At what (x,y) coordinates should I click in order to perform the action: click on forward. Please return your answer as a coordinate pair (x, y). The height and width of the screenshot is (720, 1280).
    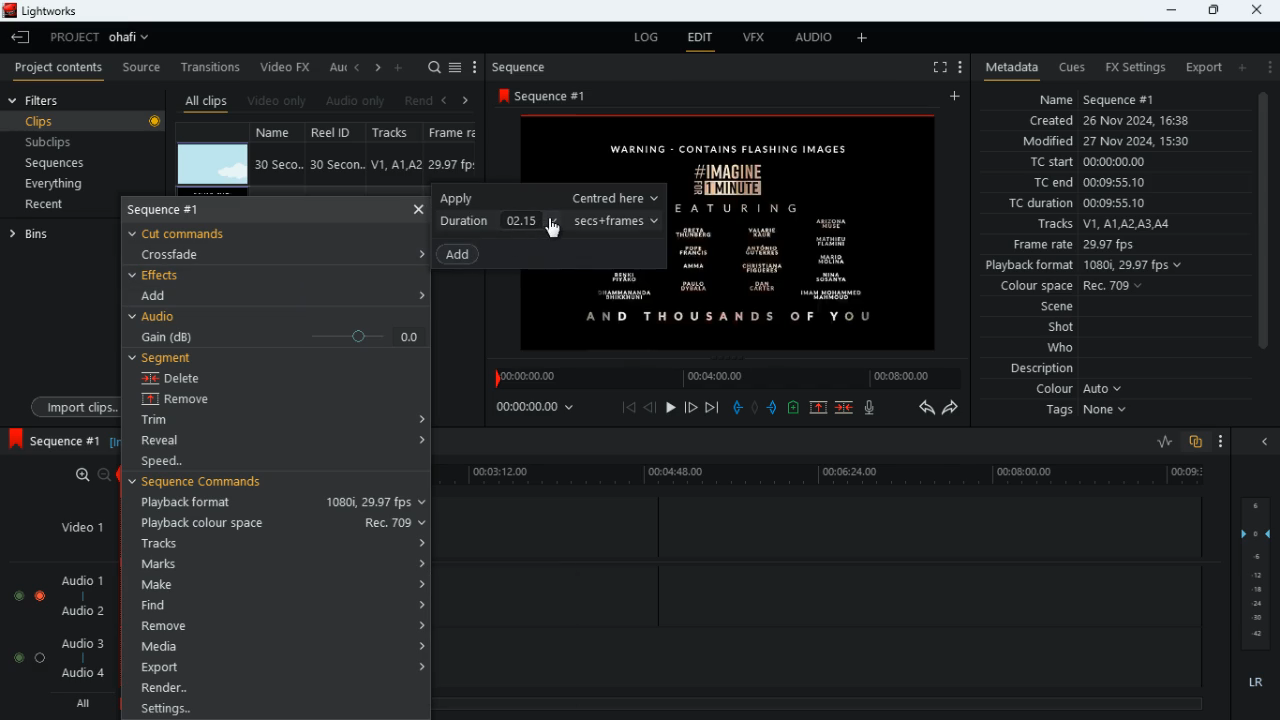
    Looking at the image, I should click on (952, 409).